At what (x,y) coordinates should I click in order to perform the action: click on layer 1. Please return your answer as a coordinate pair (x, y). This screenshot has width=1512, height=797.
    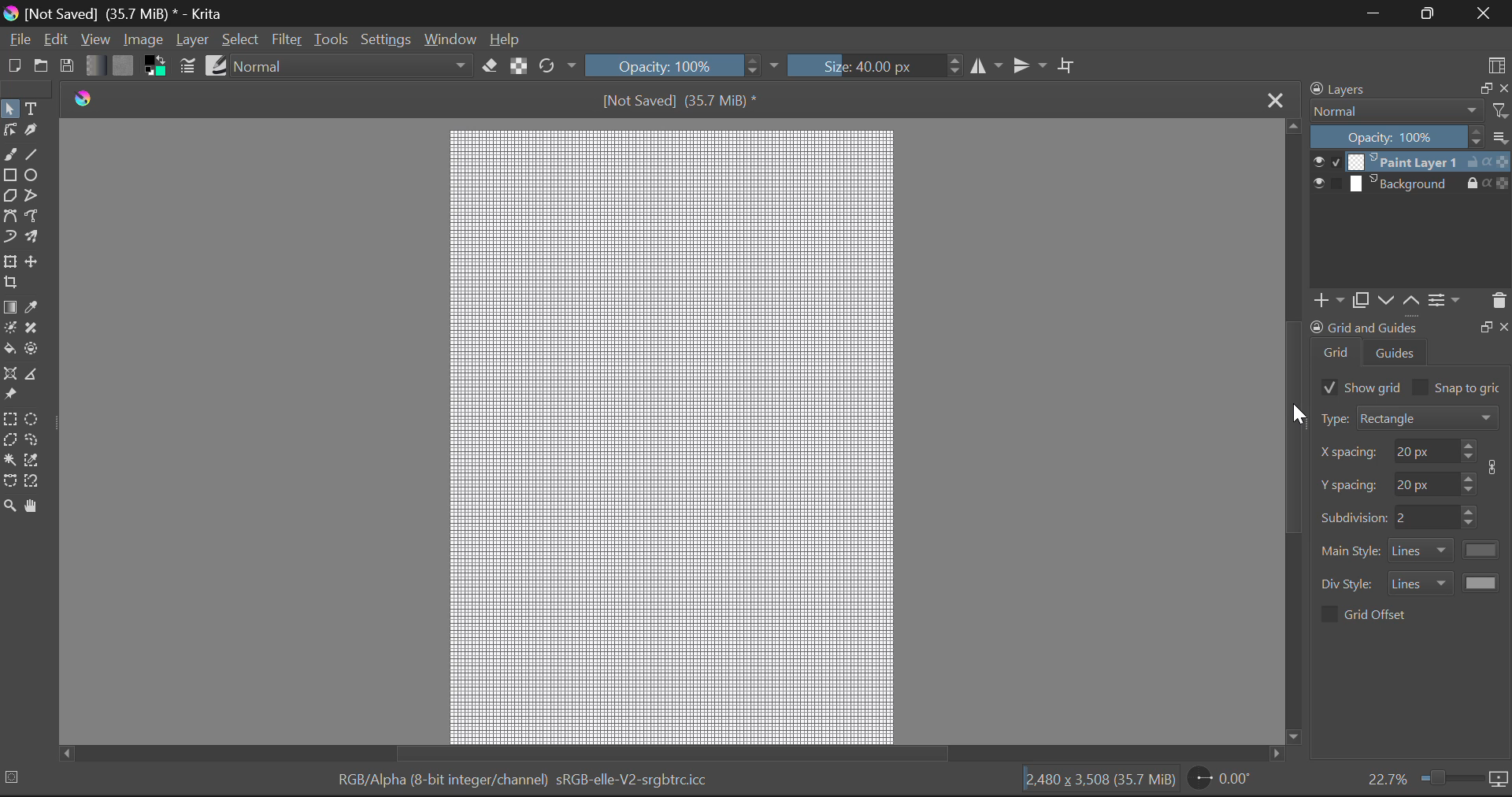
    Looking at the image, I should click on (1403, 161).